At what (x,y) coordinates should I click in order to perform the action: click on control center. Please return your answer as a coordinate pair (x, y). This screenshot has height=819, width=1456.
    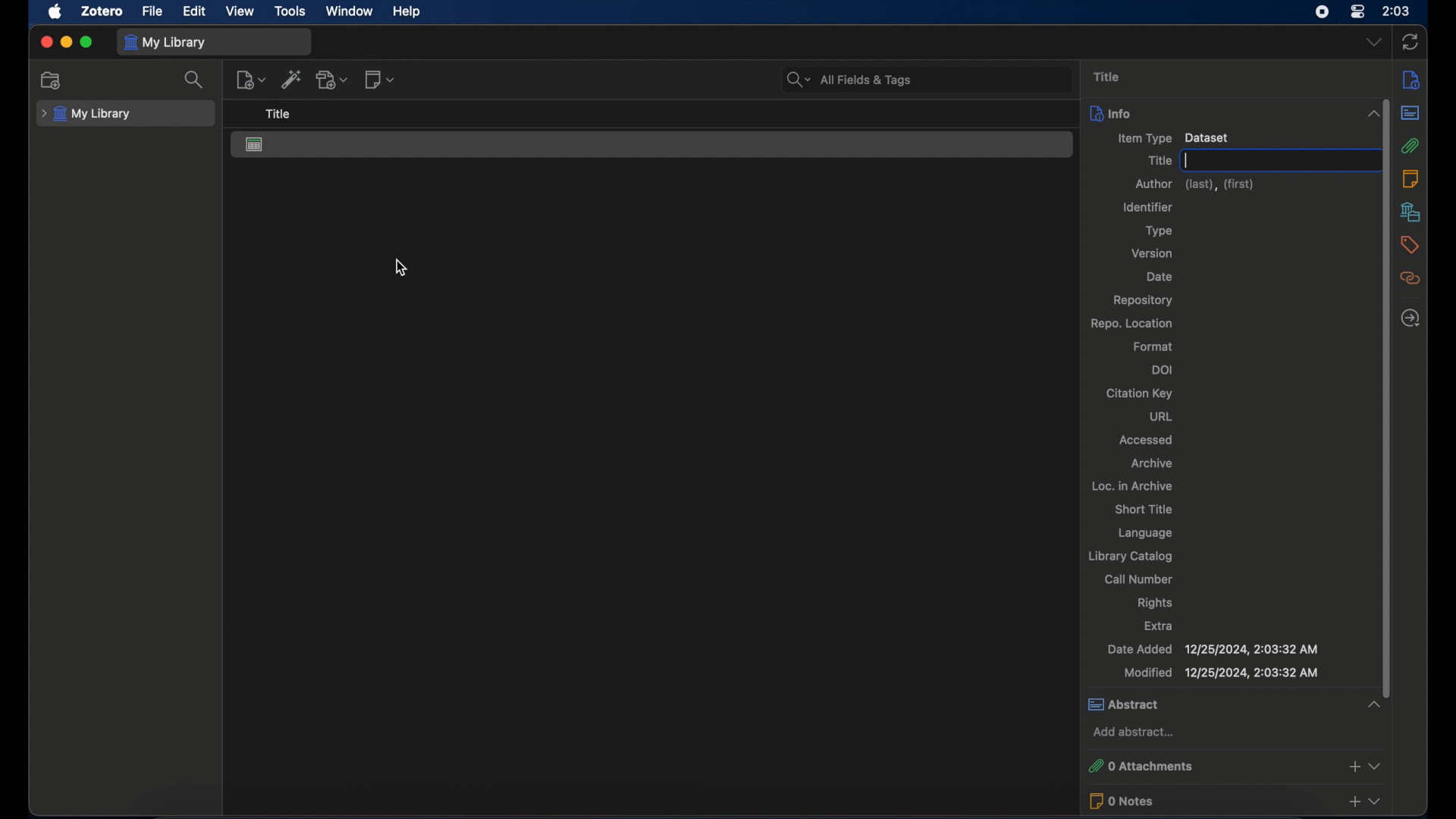
    Looking at the image, I should click on (1357, 12).